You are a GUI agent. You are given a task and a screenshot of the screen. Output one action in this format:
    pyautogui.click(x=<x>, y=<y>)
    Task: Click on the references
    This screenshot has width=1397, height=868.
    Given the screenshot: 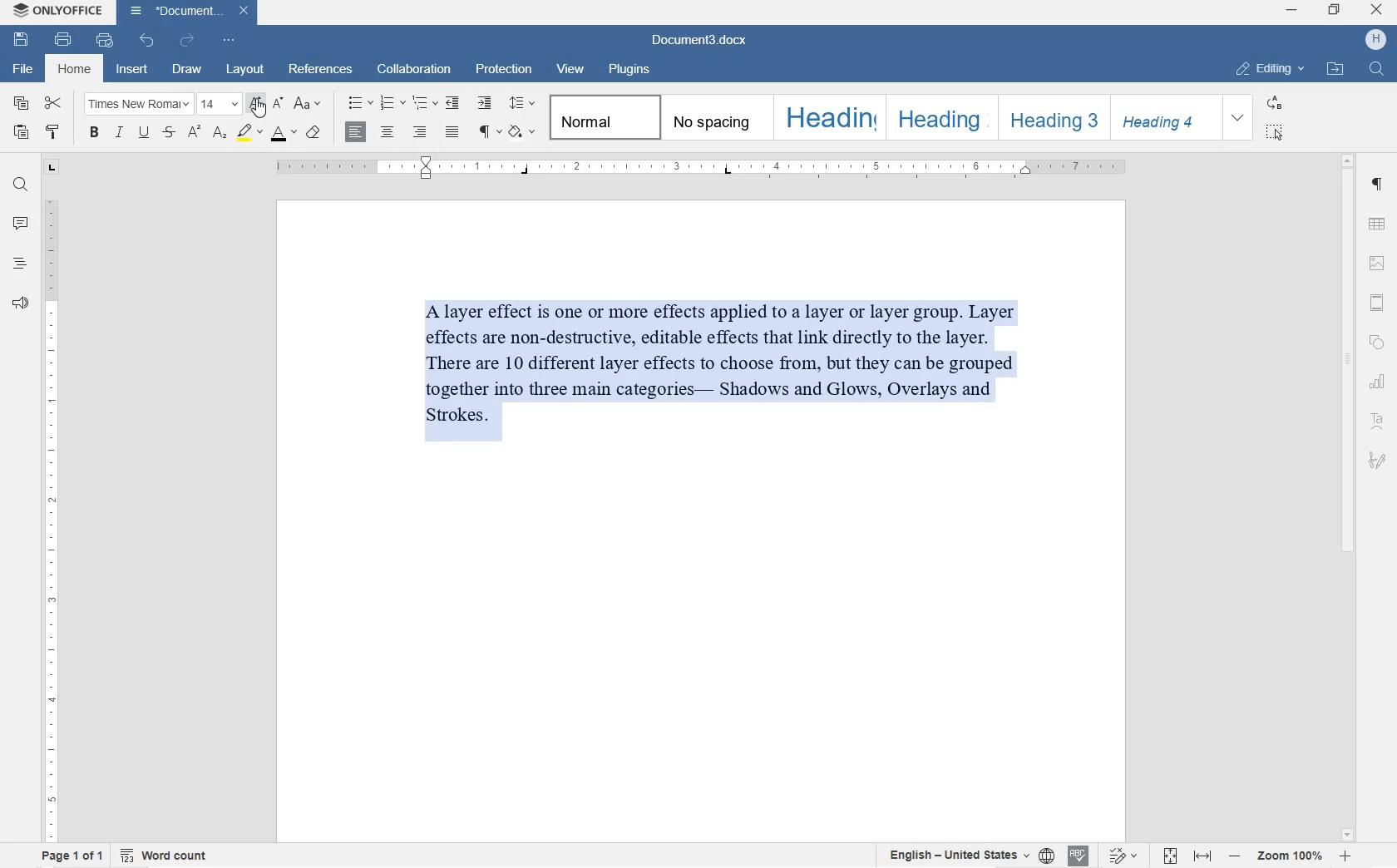 What is the action you would take?
    pyautogui.click(x=323, y=70)
    